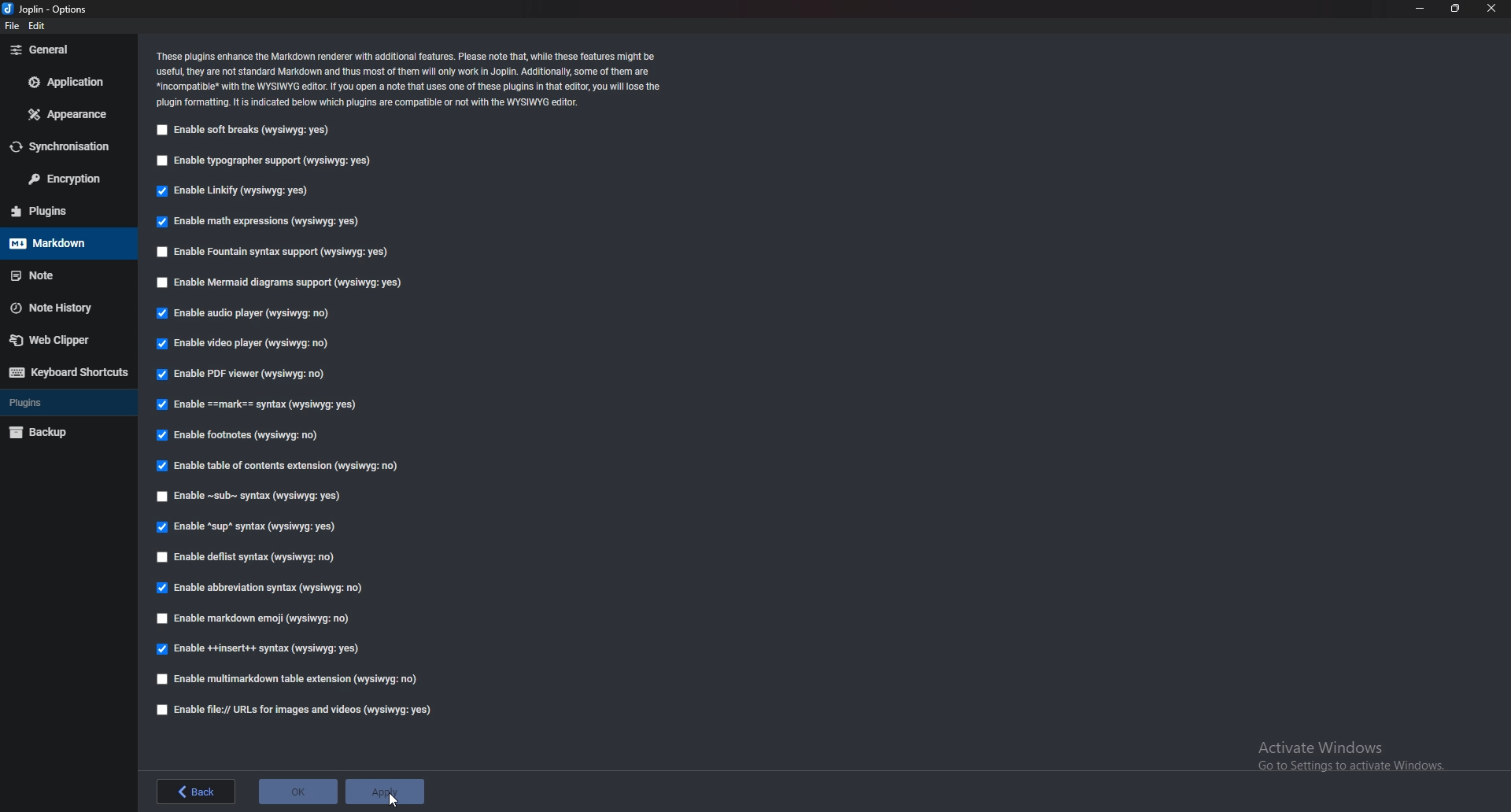 The height and width of the screenshot is (812, 1511). I want to click on enable multimarkdown table extension, so click(290, 680).